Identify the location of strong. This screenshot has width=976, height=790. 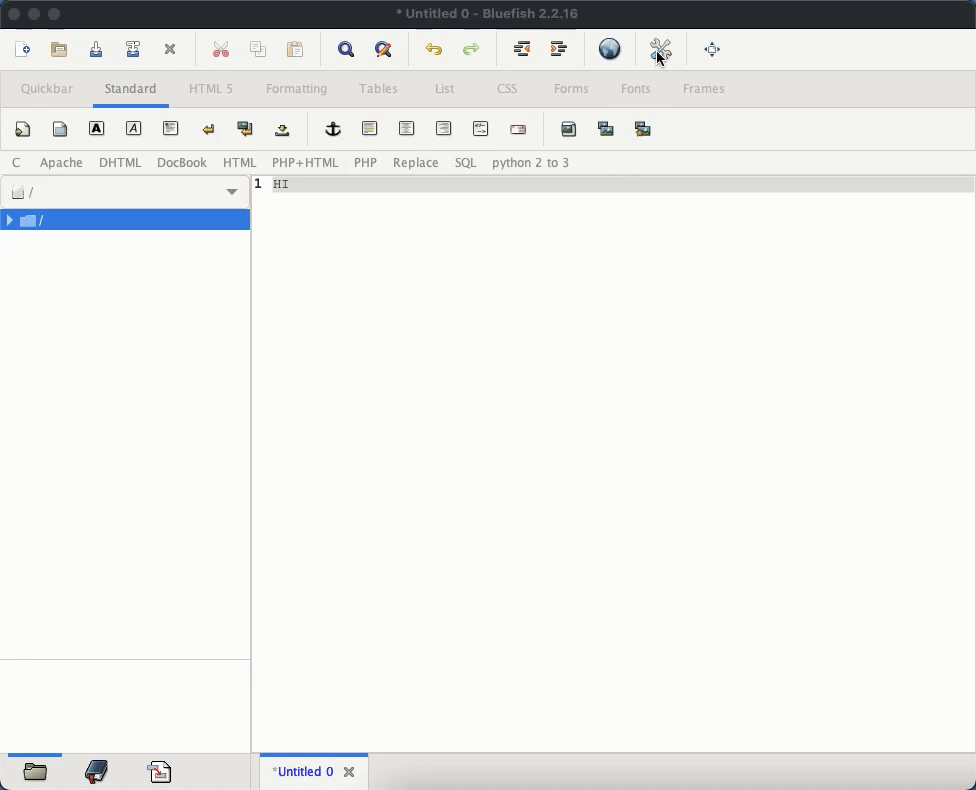
(96, 128).